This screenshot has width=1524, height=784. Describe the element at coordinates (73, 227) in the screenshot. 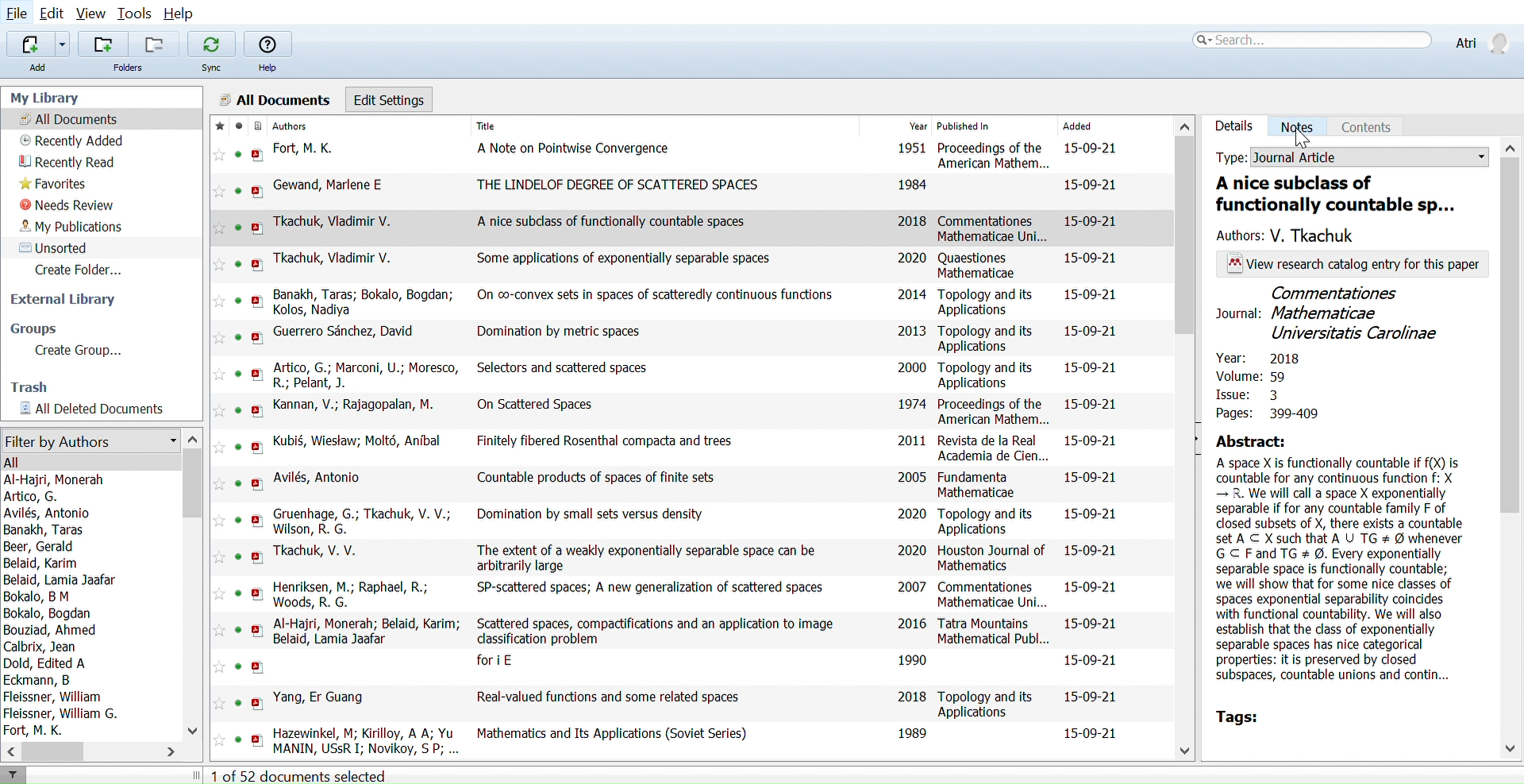

I see `My publications` at that location.